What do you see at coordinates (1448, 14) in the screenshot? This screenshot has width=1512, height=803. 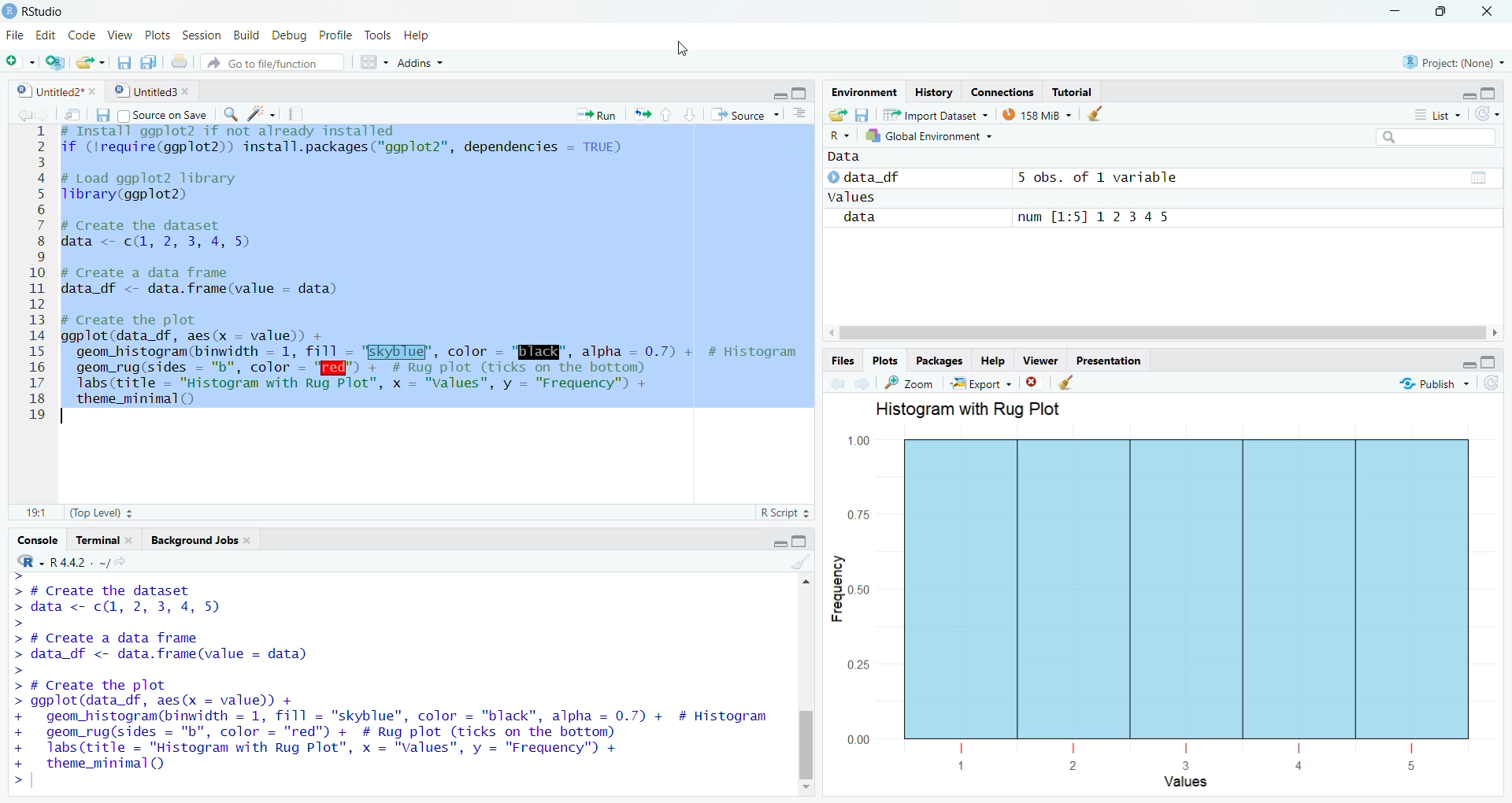 I see `maximize` at bounding box center [1448, 14].